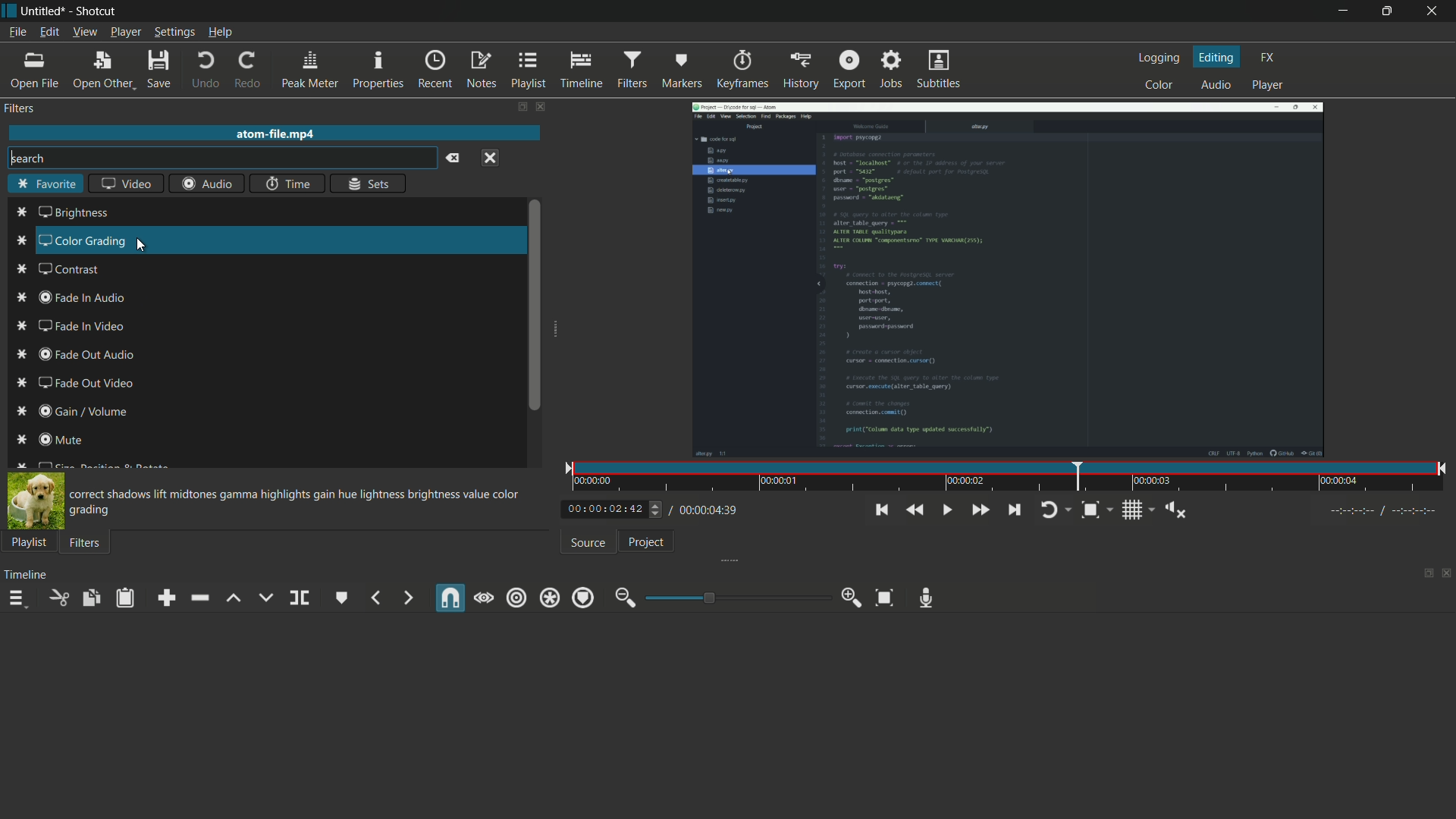  I want to click on time, so click(1009, 478).